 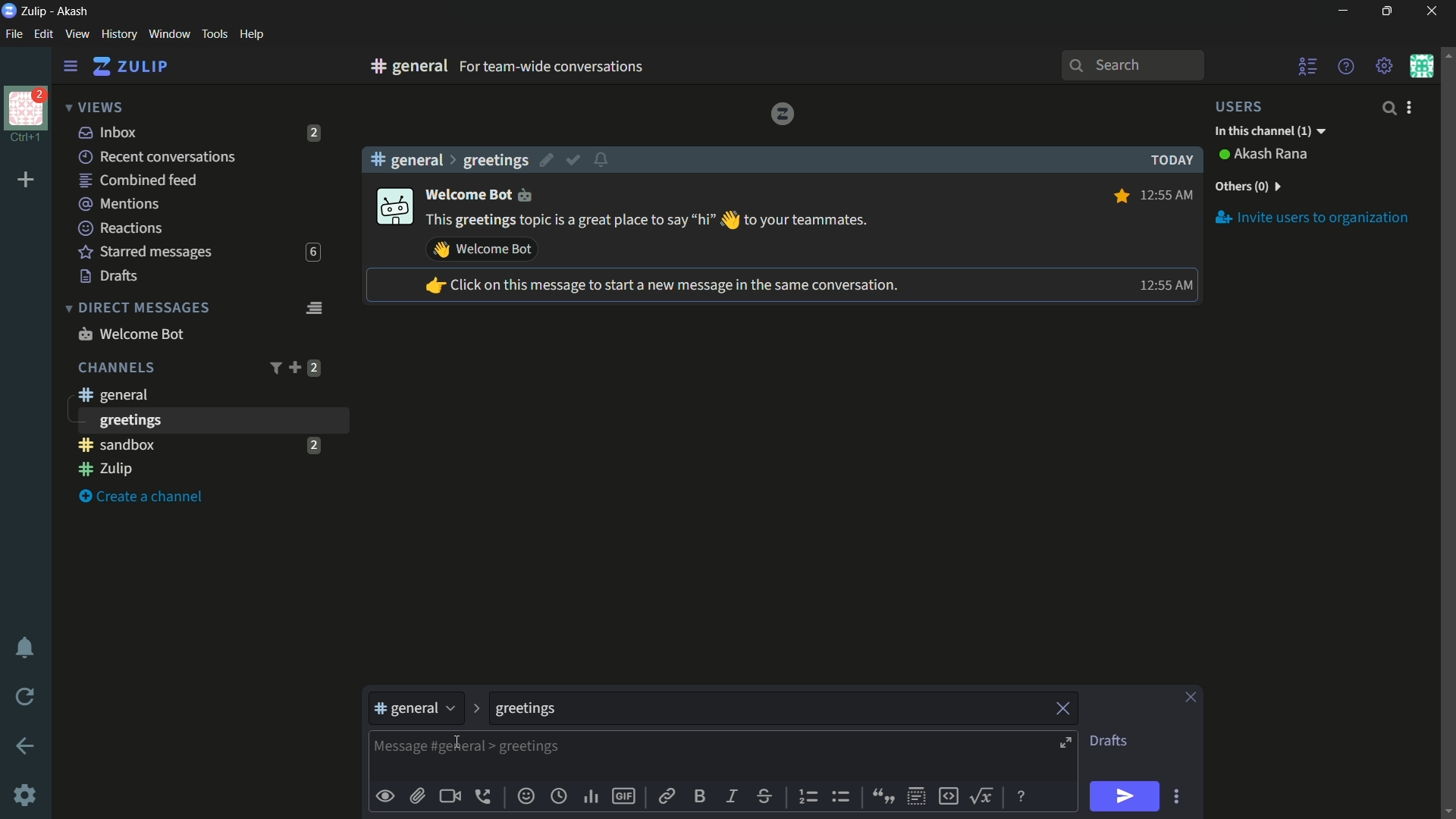 I want to click on 12: 55 AM, so click(x=1163, y=285).